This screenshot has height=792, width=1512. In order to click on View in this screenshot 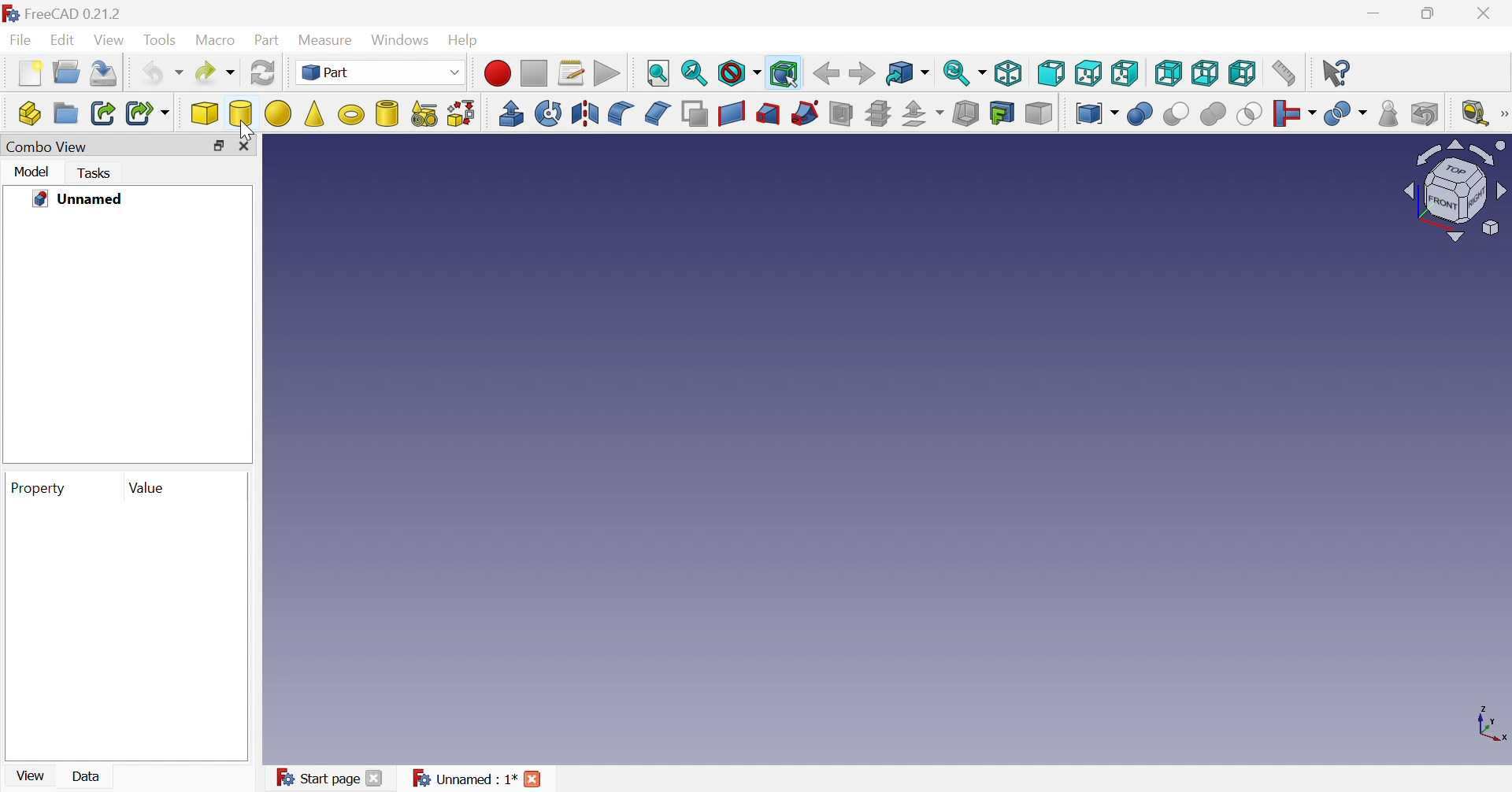, I will do `click(111, 41)`.